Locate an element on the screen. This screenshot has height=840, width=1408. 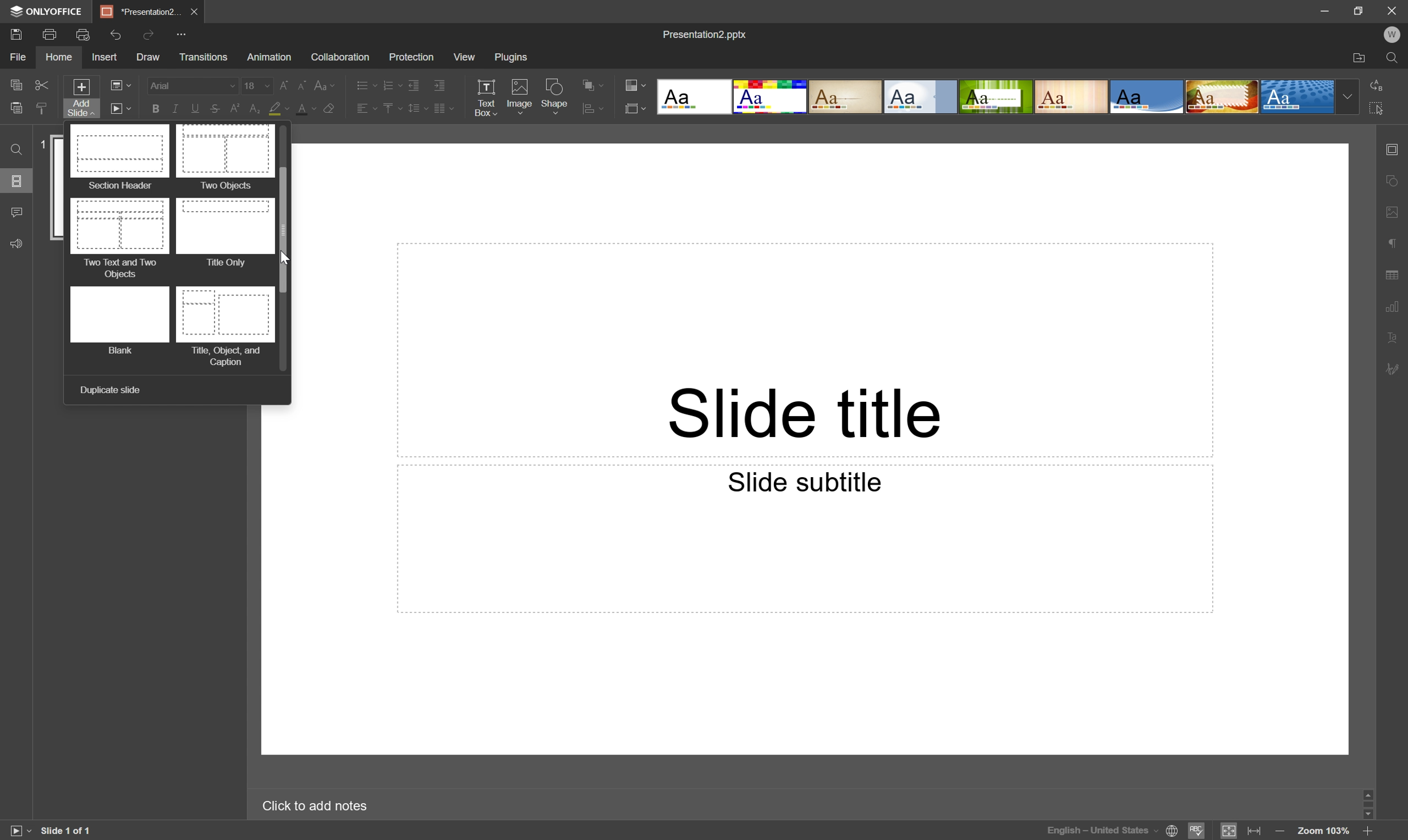
Decrease indent is located at coordinates (414, 82).